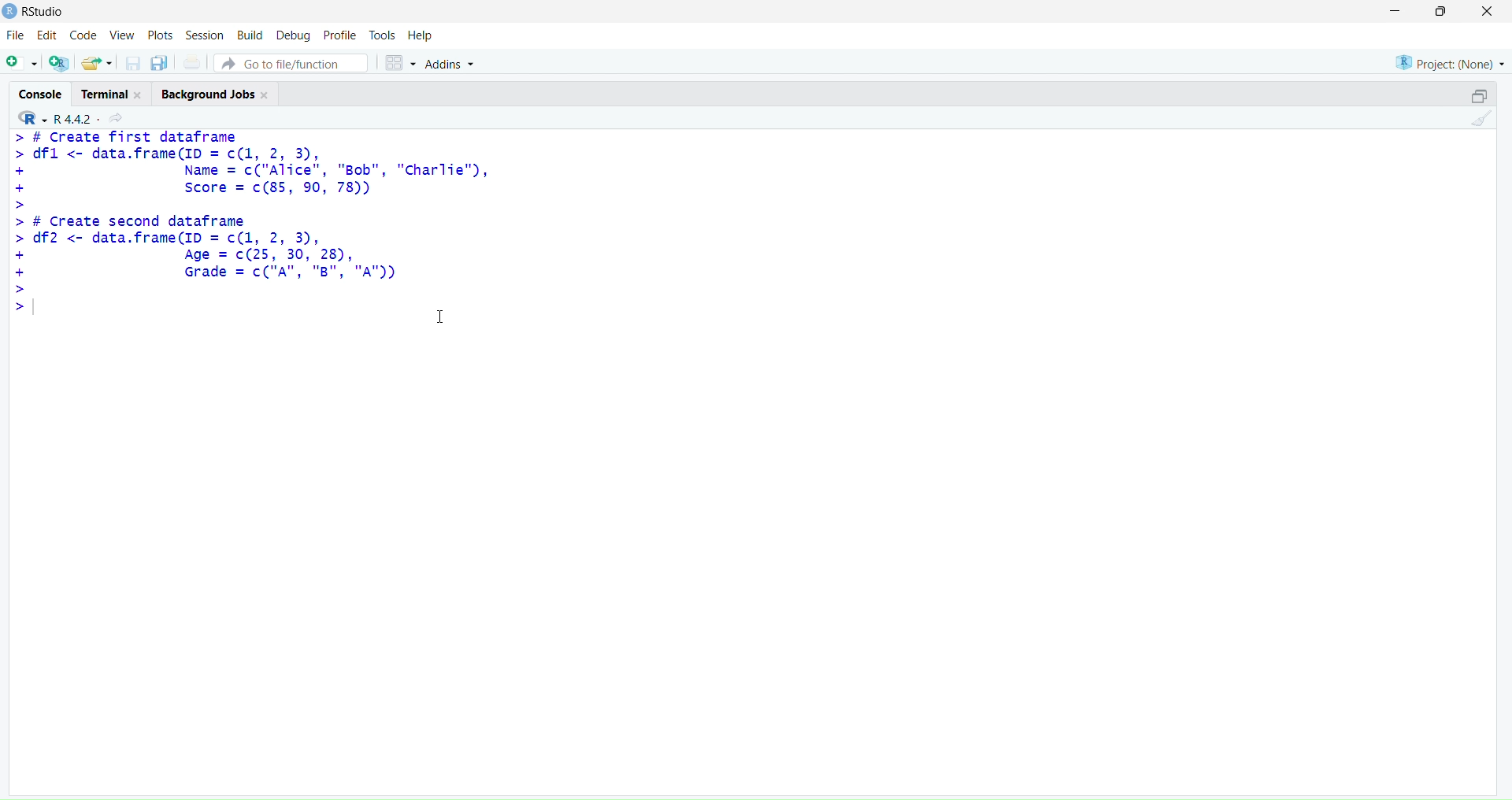  What do you see at coordinates (60, 62) in the screenshot?
I see `create a project` at bounding box center [60, 62].